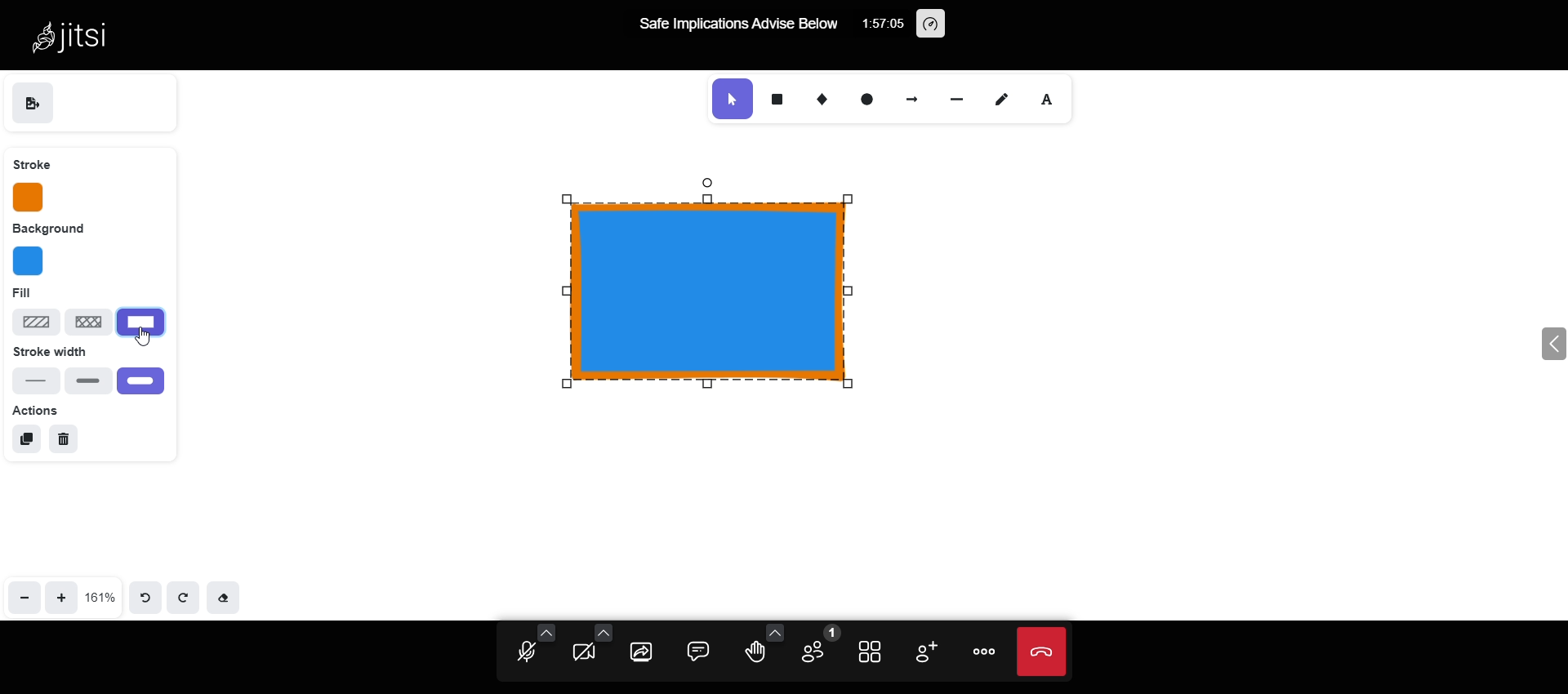 The image size is (1568, 694). Describe the element at coordinates (881, 26) in the screenshot. I see `1:57:05` at that location.